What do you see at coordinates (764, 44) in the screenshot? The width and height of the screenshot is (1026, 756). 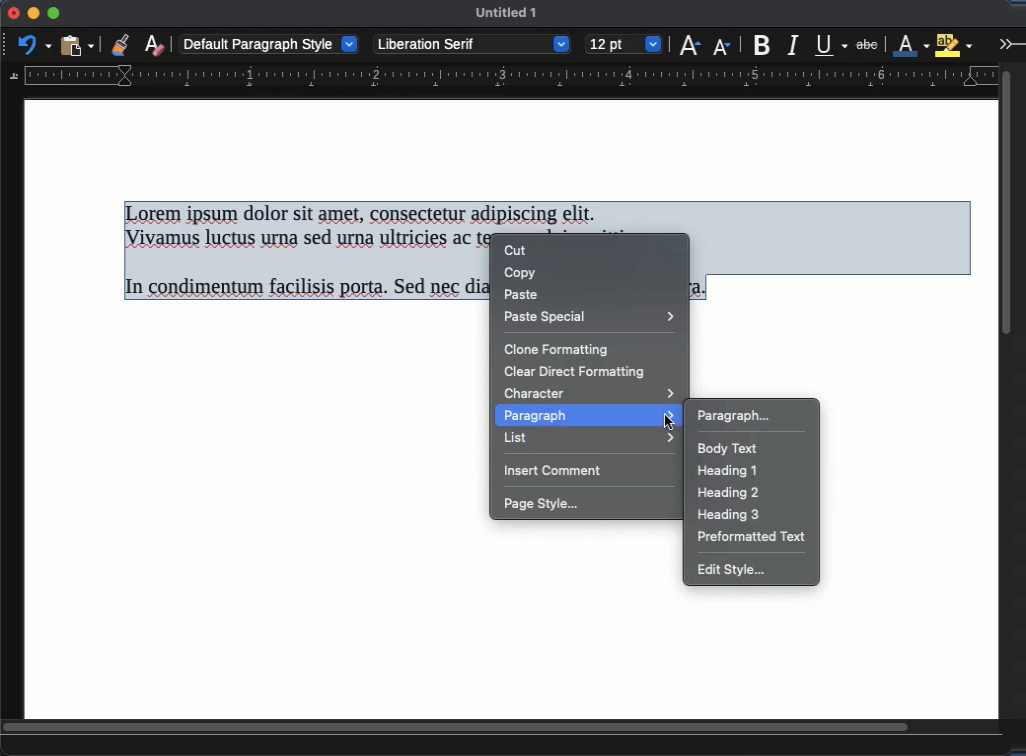 I see `bold` at bounding box center [764, 44].